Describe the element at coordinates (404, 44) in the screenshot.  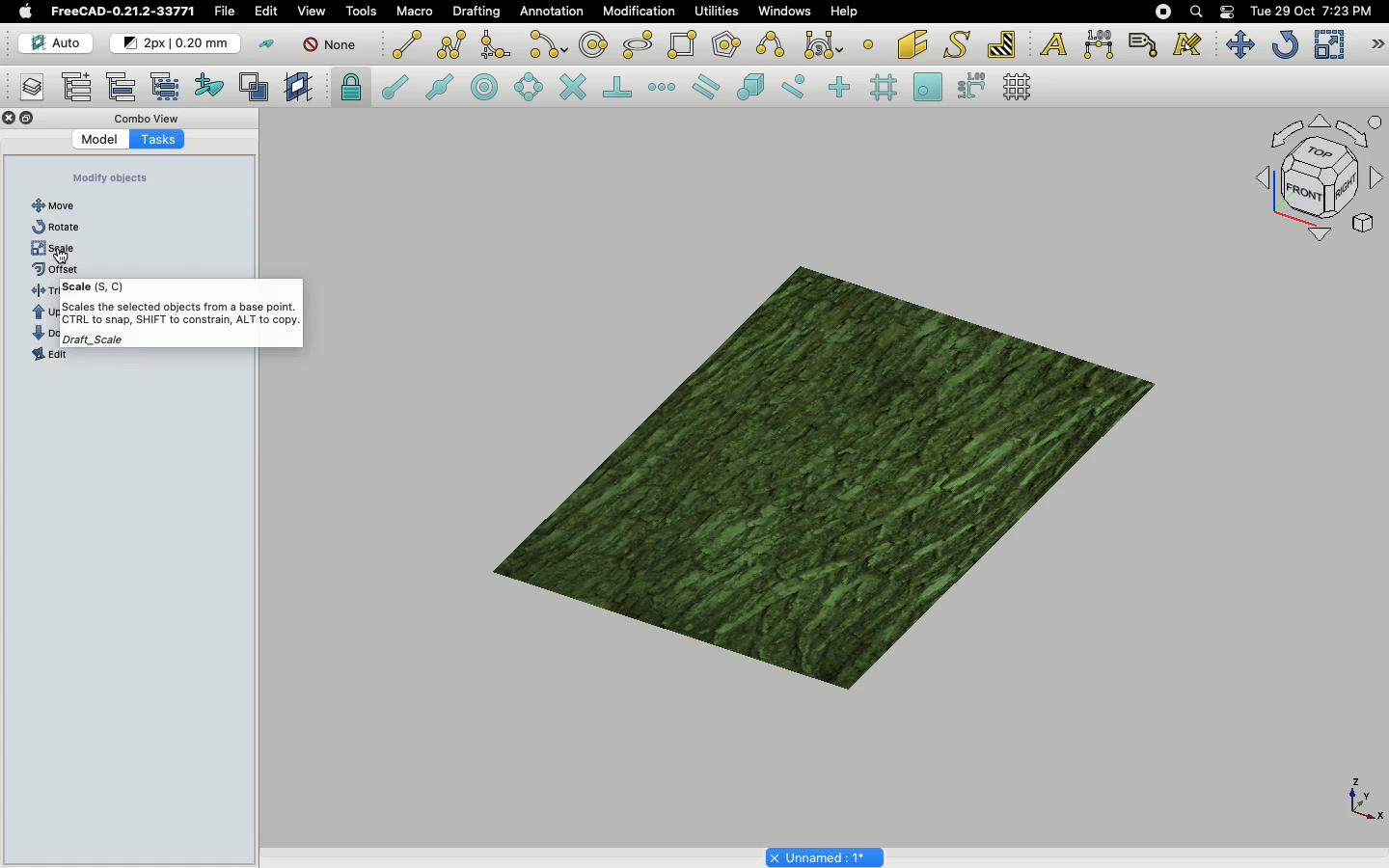
I see `Line` at that location.